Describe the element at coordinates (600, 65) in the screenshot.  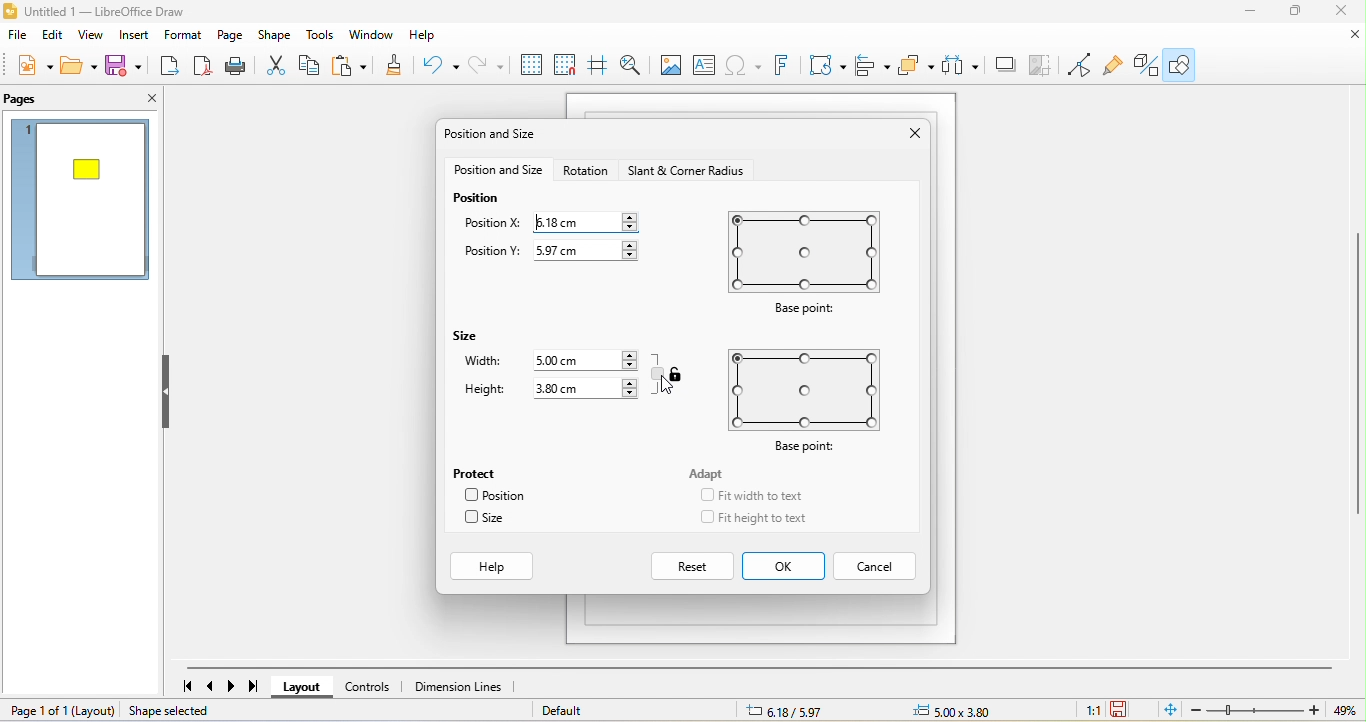
I see `helpline while moving` at that location.